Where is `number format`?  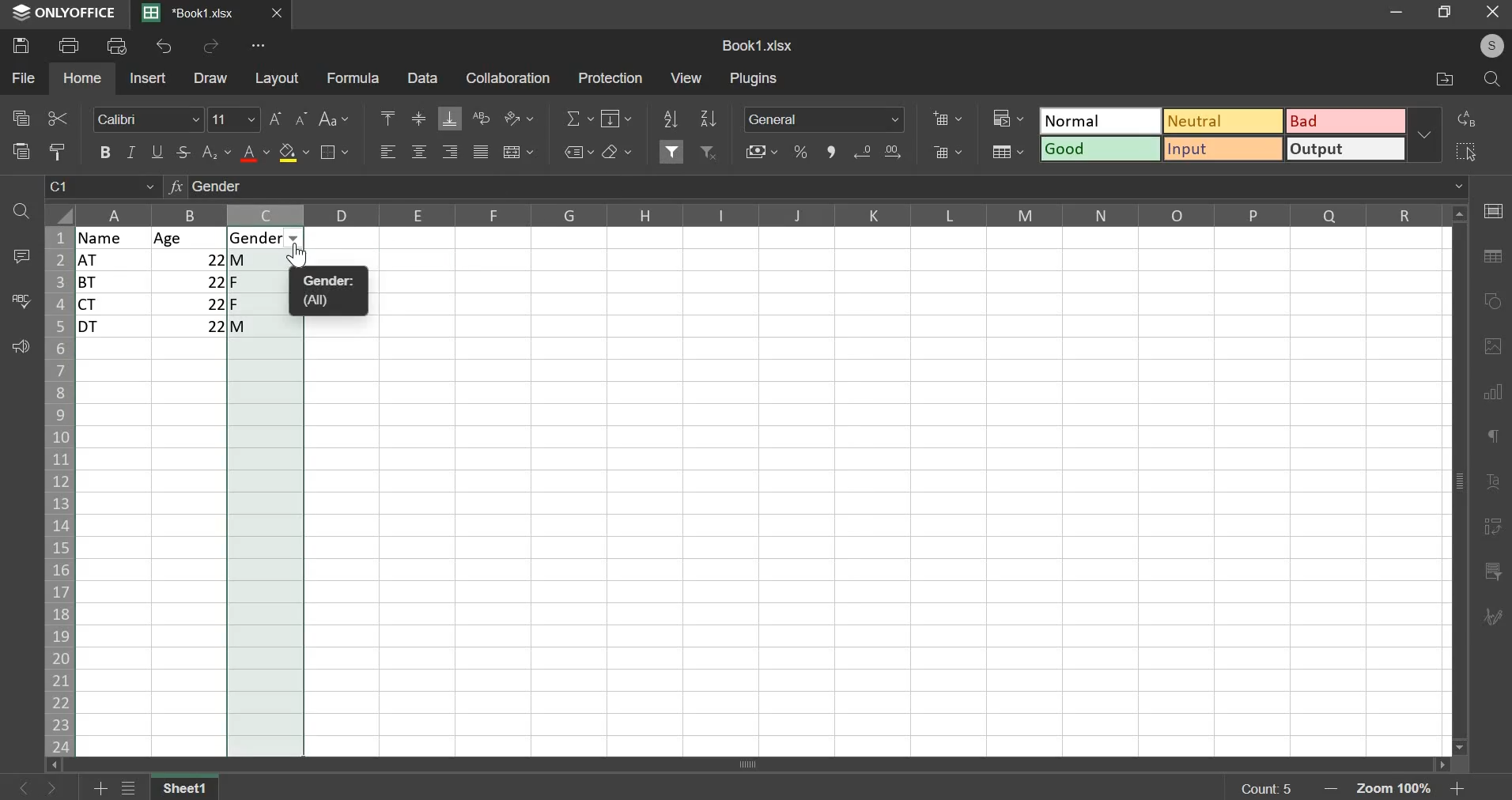 number format is located at coordinates (825, 119).